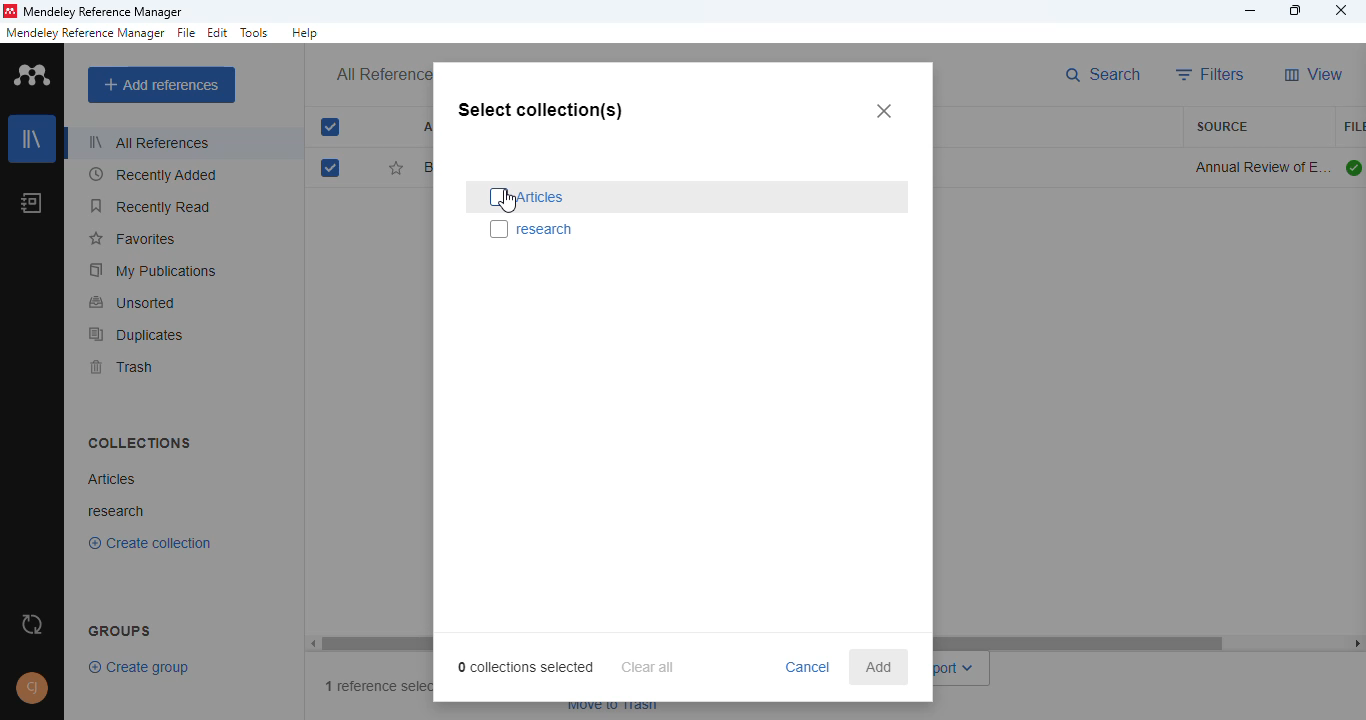 The image size is (1366, 720). What do you see at coordinates (150, 142) in the screenshot?
I see `all references` at bounding box center [150, 142].